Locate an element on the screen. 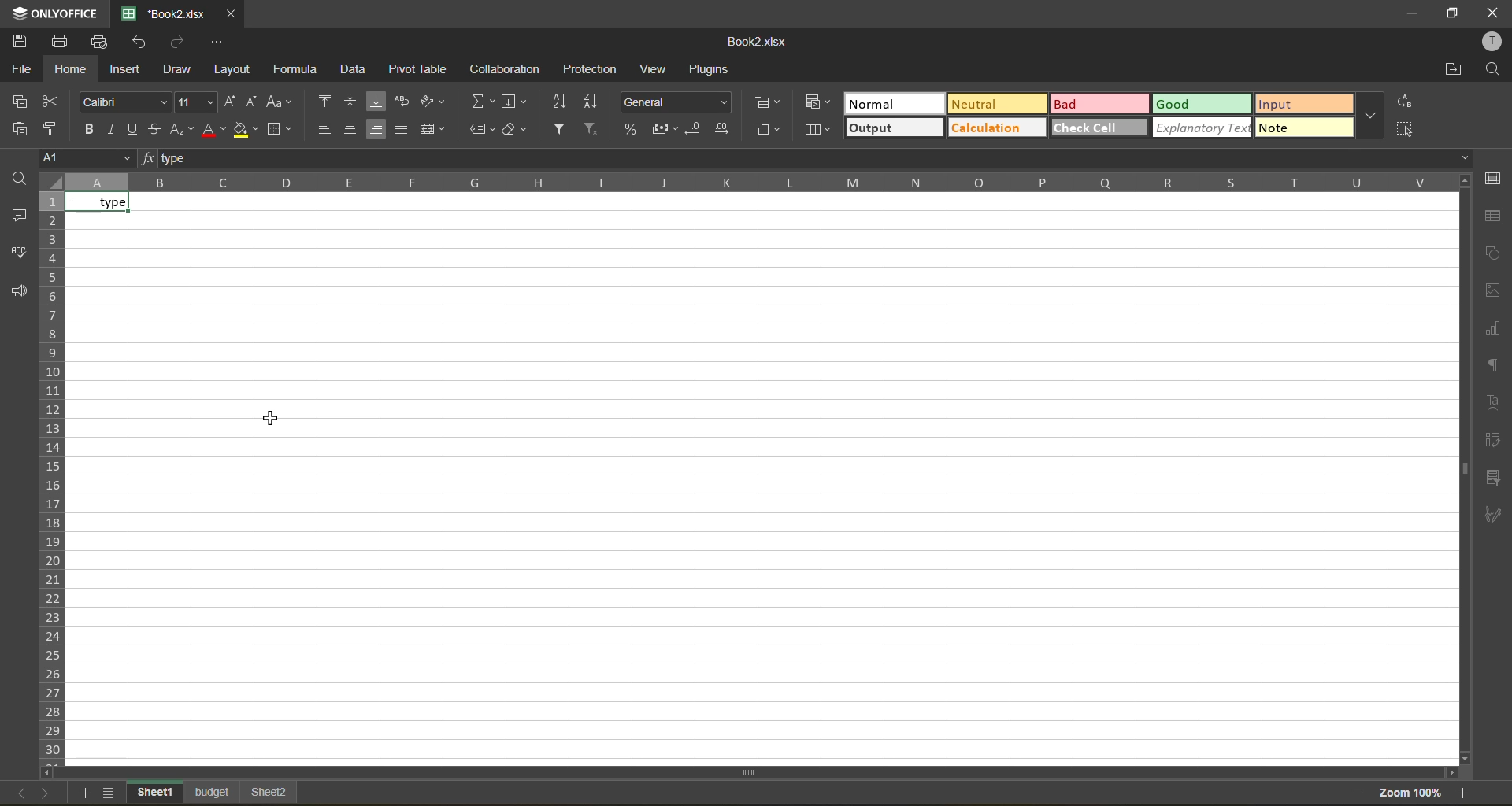 Image resolution: width=1512 pixels, height=806 pixels. cursor is located at coordinates (277, 416).